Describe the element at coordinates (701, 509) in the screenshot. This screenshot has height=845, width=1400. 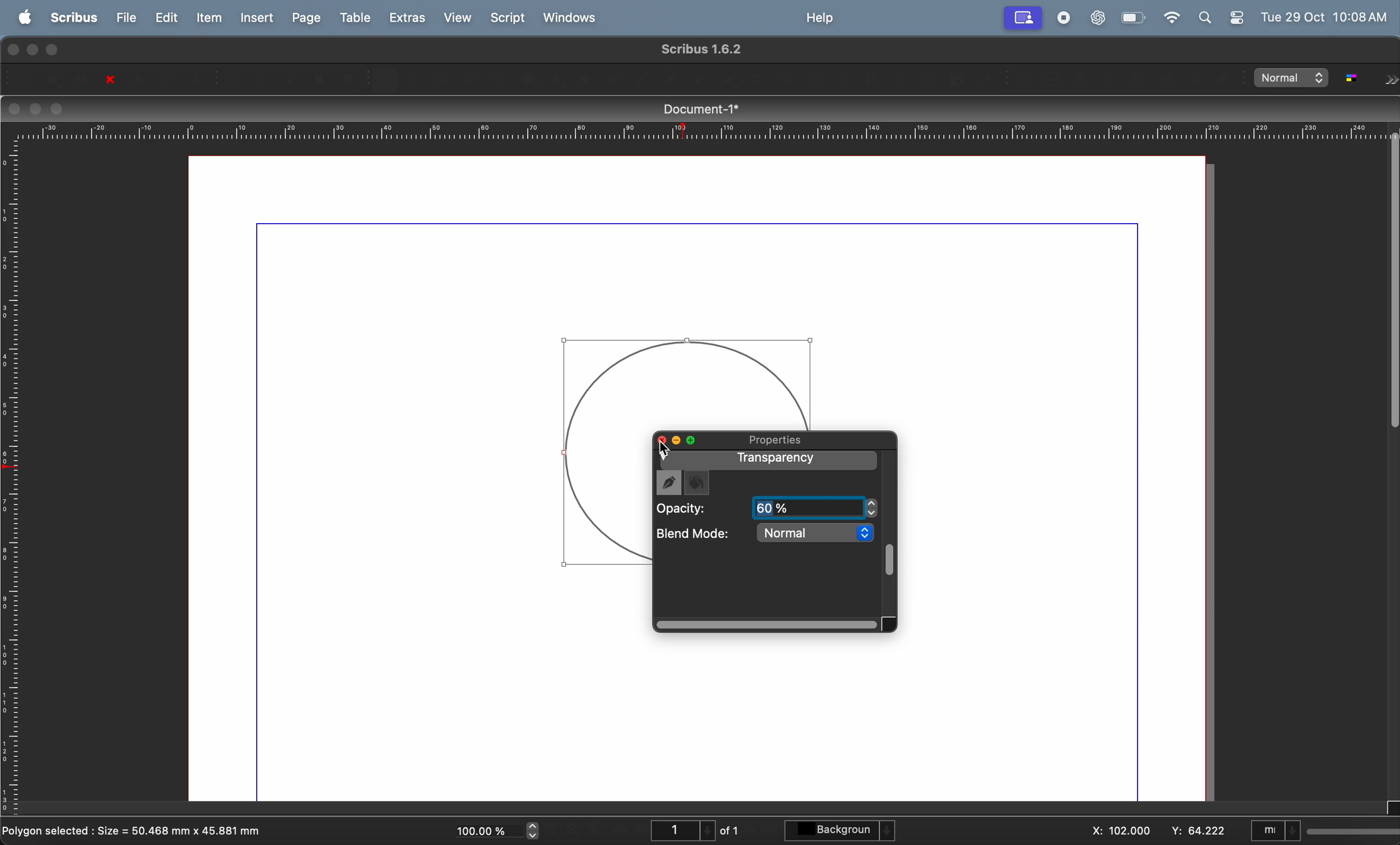
I see `opacity` at that location.